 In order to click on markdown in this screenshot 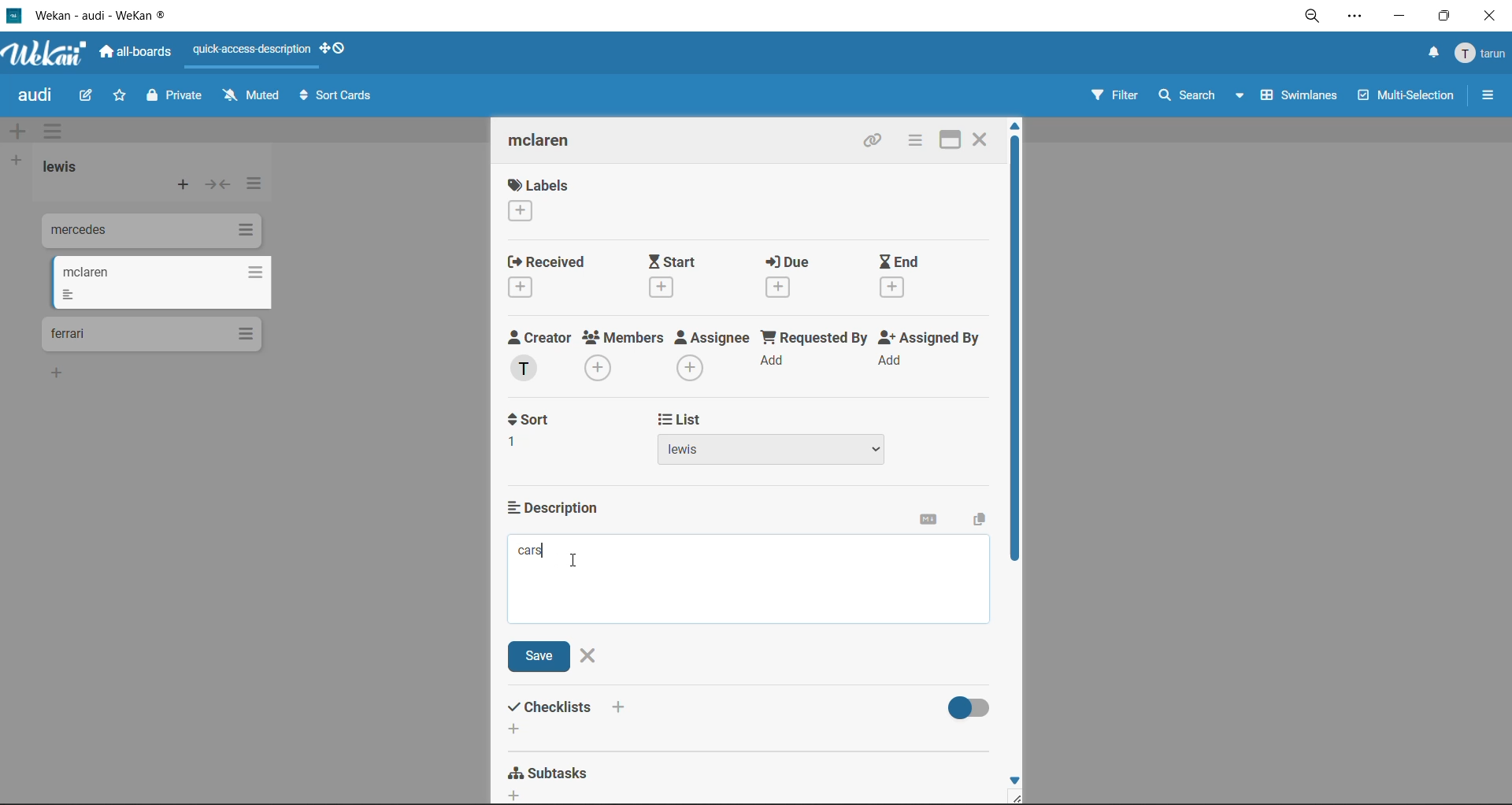, I will do `click(933, 522)`.